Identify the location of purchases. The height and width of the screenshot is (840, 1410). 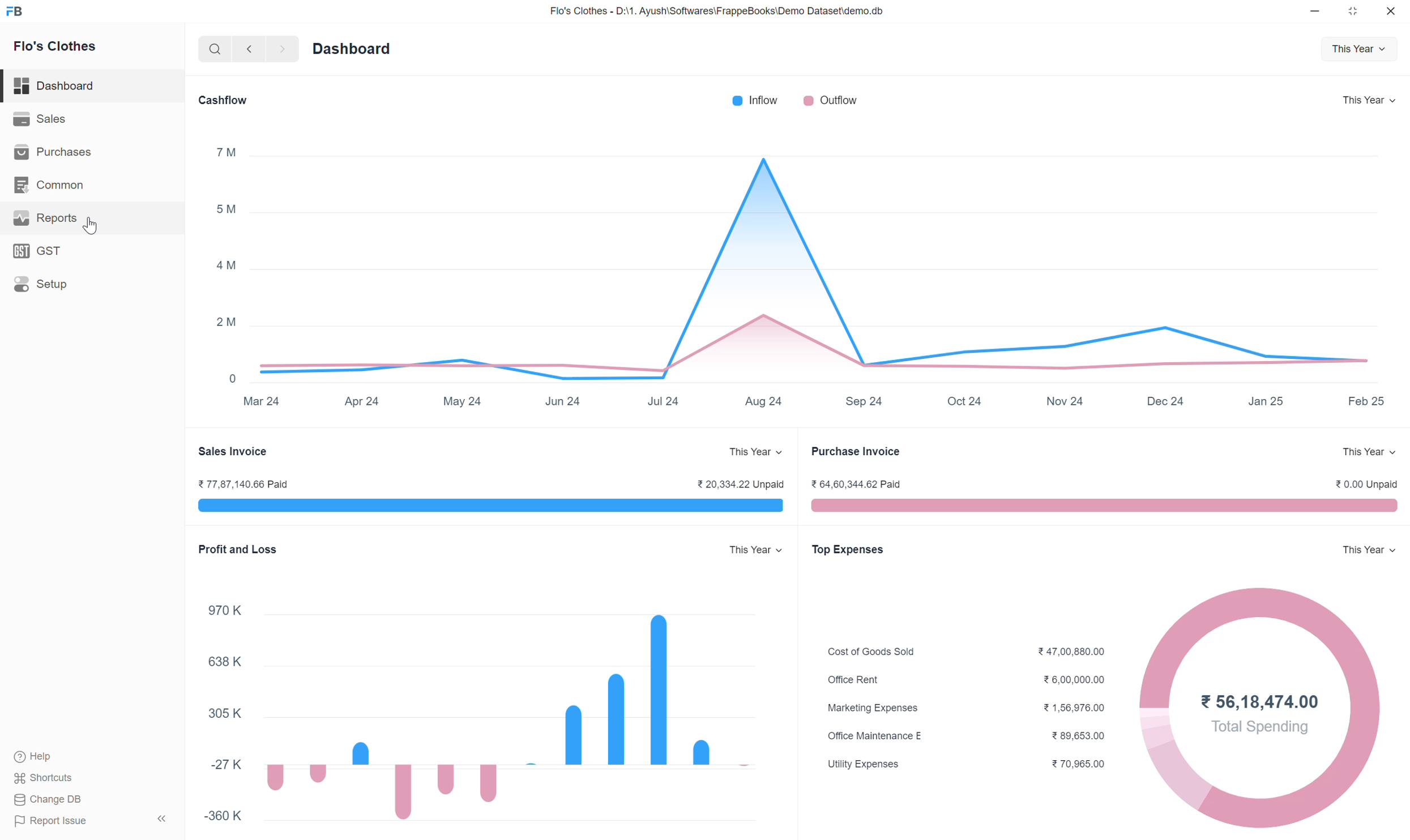
(55, 151).